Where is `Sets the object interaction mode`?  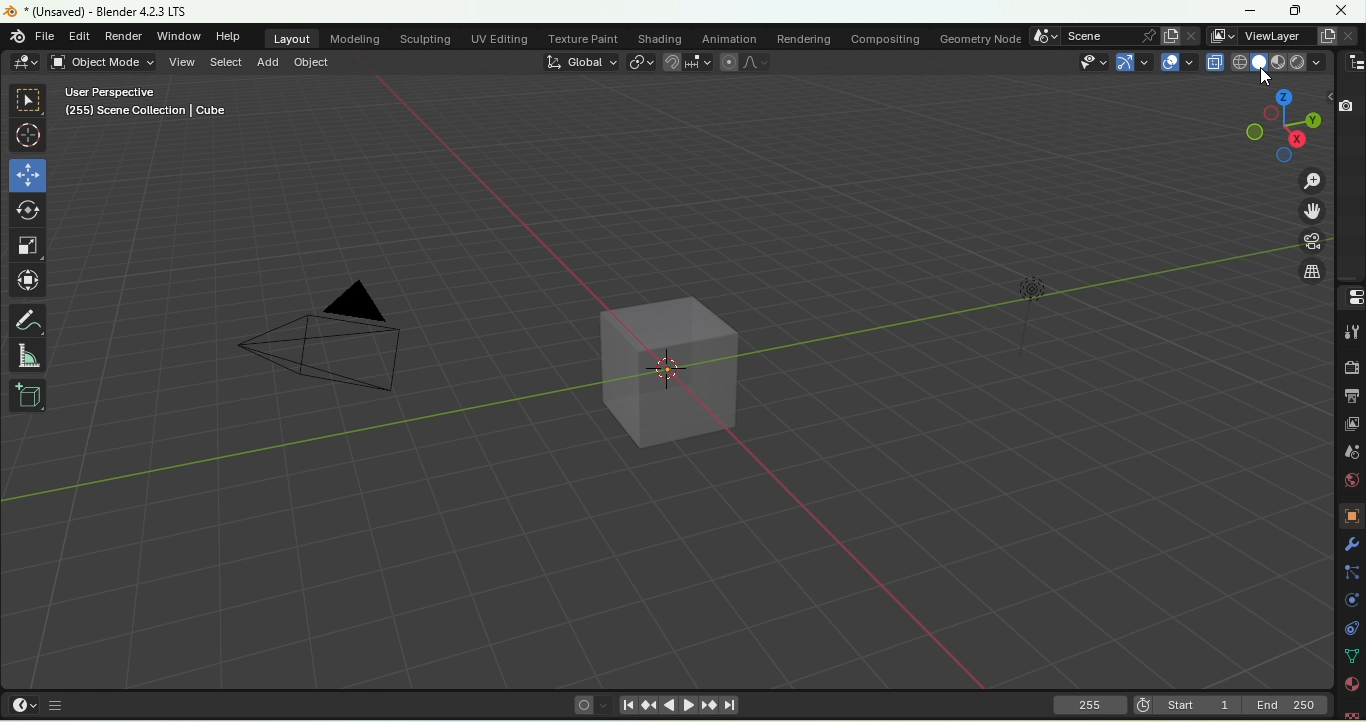 Sets the object interaction mode is located at coordinates (105, 62).